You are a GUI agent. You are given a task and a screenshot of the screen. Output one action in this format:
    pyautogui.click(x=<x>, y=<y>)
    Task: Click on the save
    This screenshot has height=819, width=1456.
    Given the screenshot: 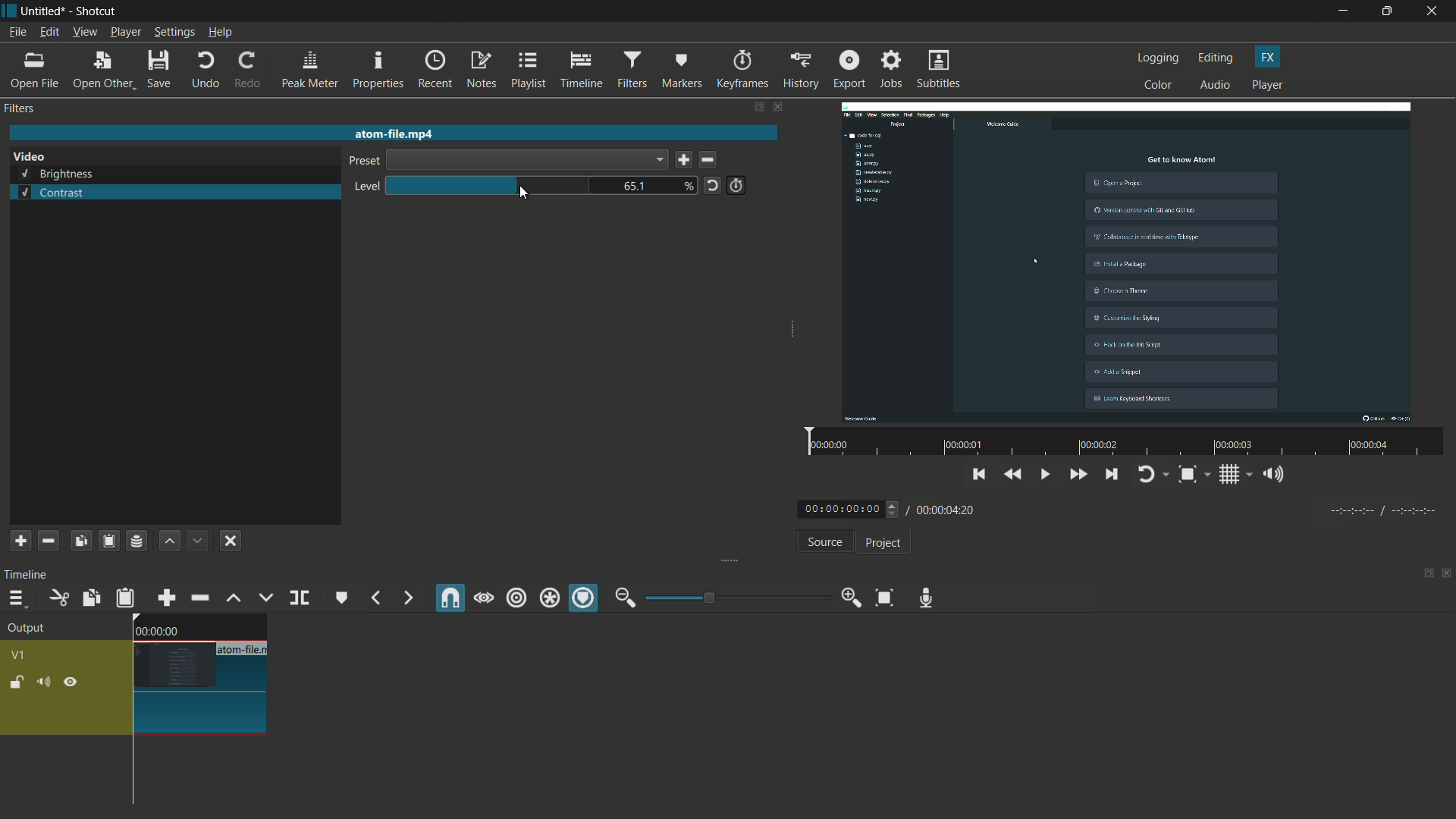 What is the action you would take?
    pyautogui.click(x=161, y=71)
    